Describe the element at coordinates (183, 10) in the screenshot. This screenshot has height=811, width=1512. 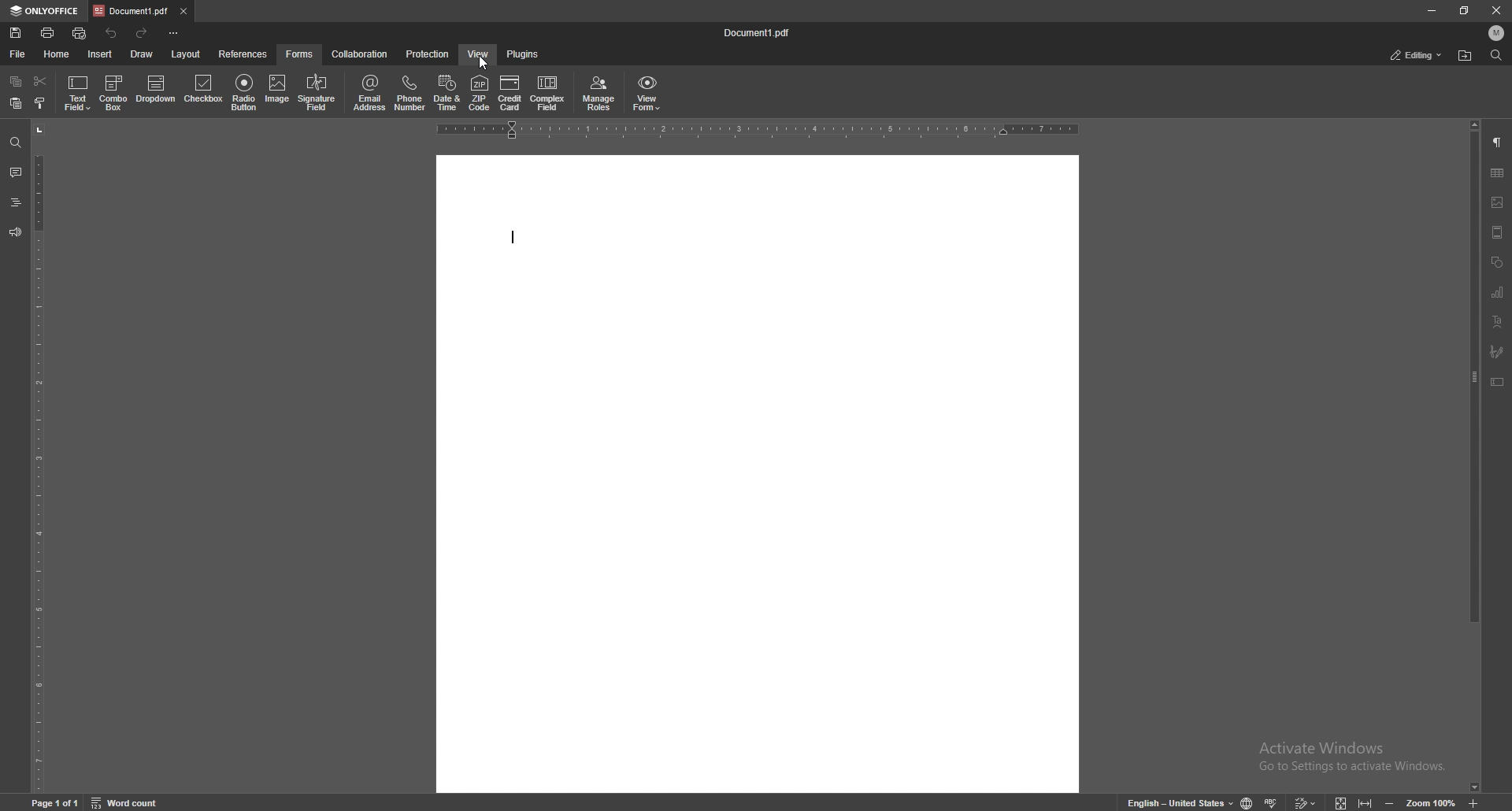
I see `close tab` at that location.